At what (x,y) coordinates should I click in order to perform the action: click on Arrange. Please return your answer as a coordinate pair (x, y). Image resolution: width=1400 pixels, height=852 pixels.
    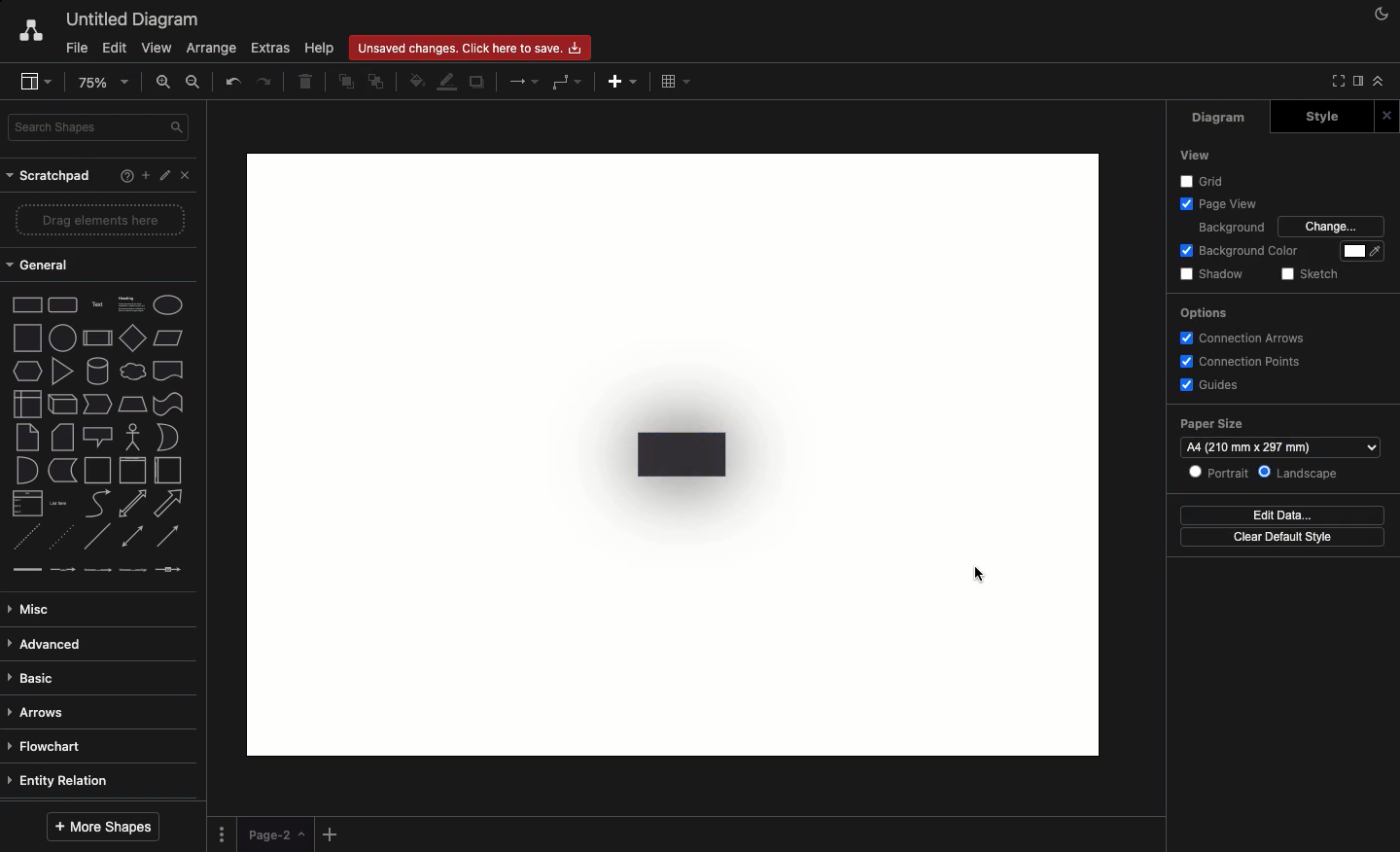
    Looking at the image, I should click on (212, 49).